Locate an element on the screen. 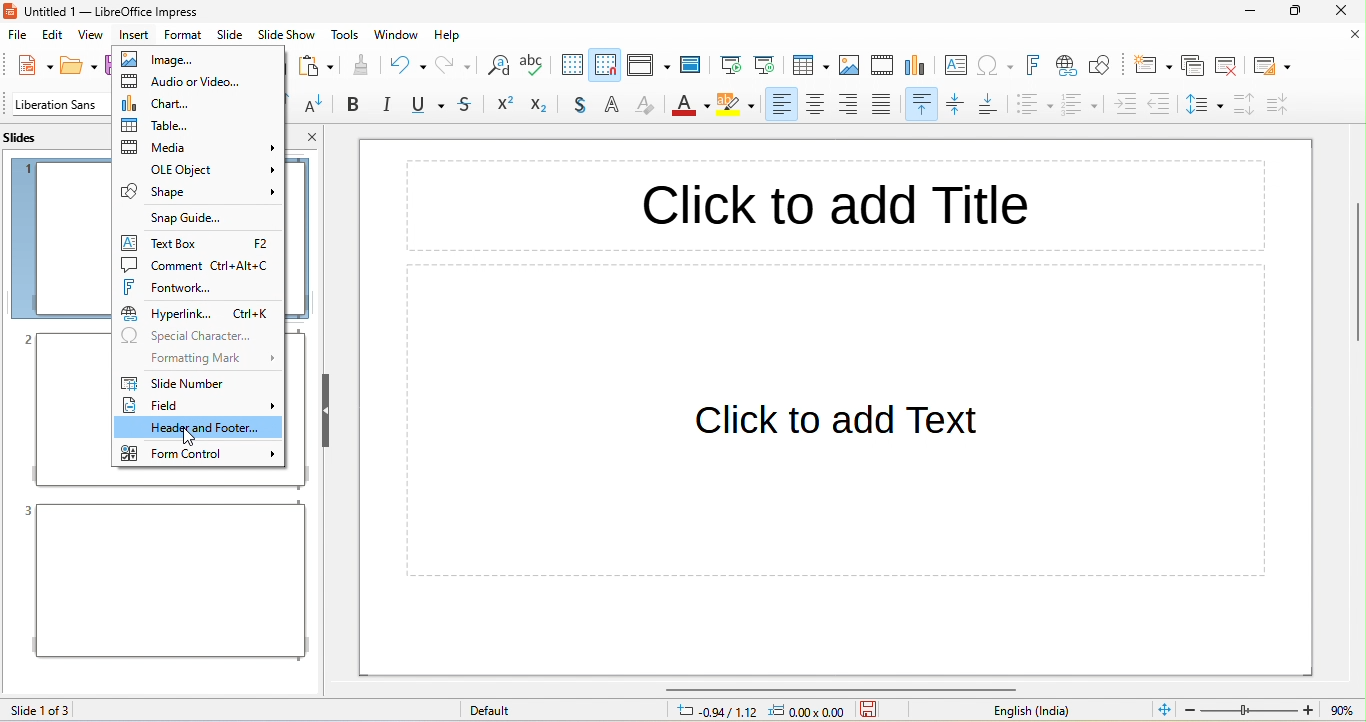 This screenshot has width=1366, height=722. file is located at coordinates (19, 37).